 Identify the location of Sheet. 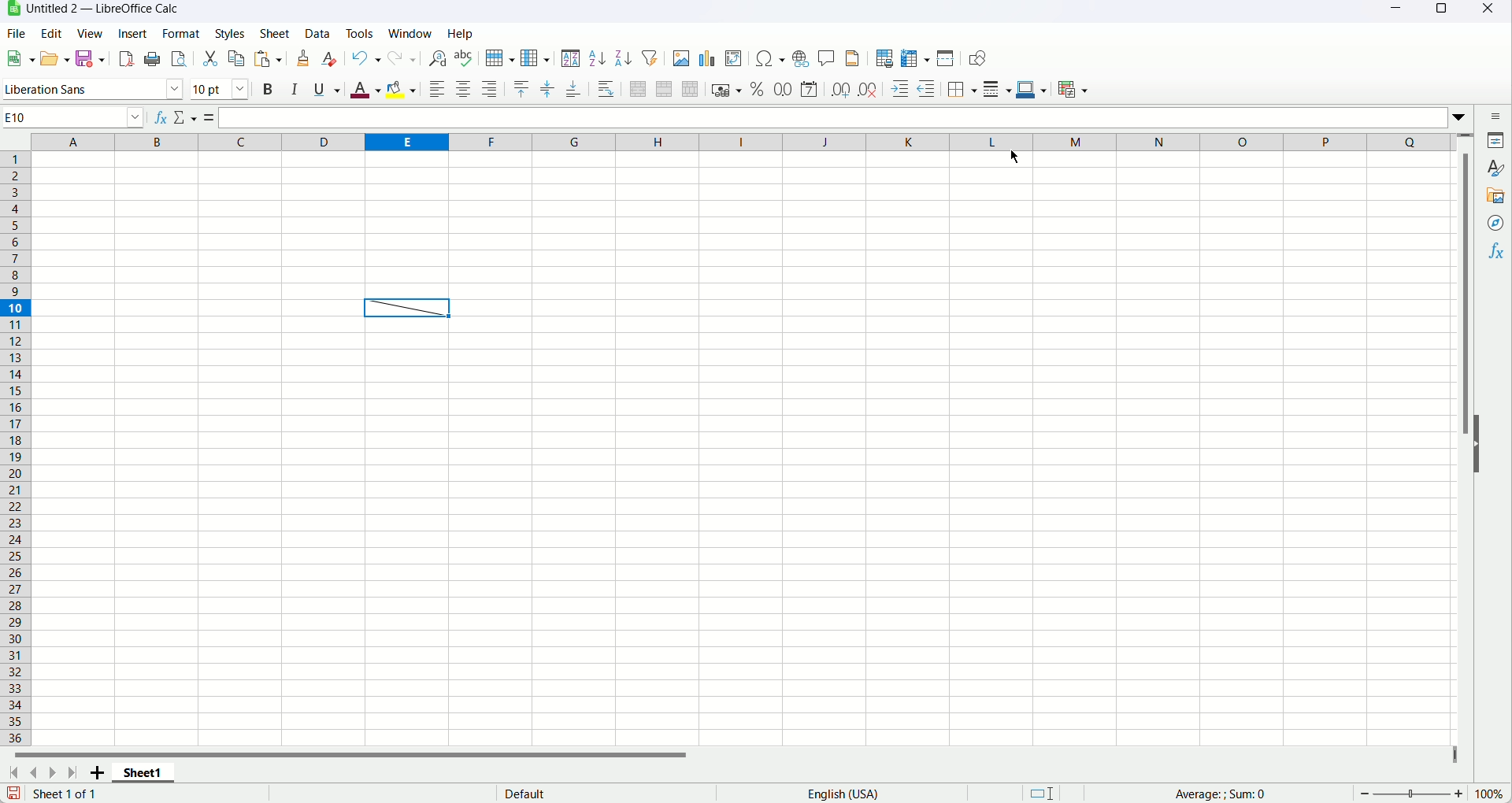
(277, 34).